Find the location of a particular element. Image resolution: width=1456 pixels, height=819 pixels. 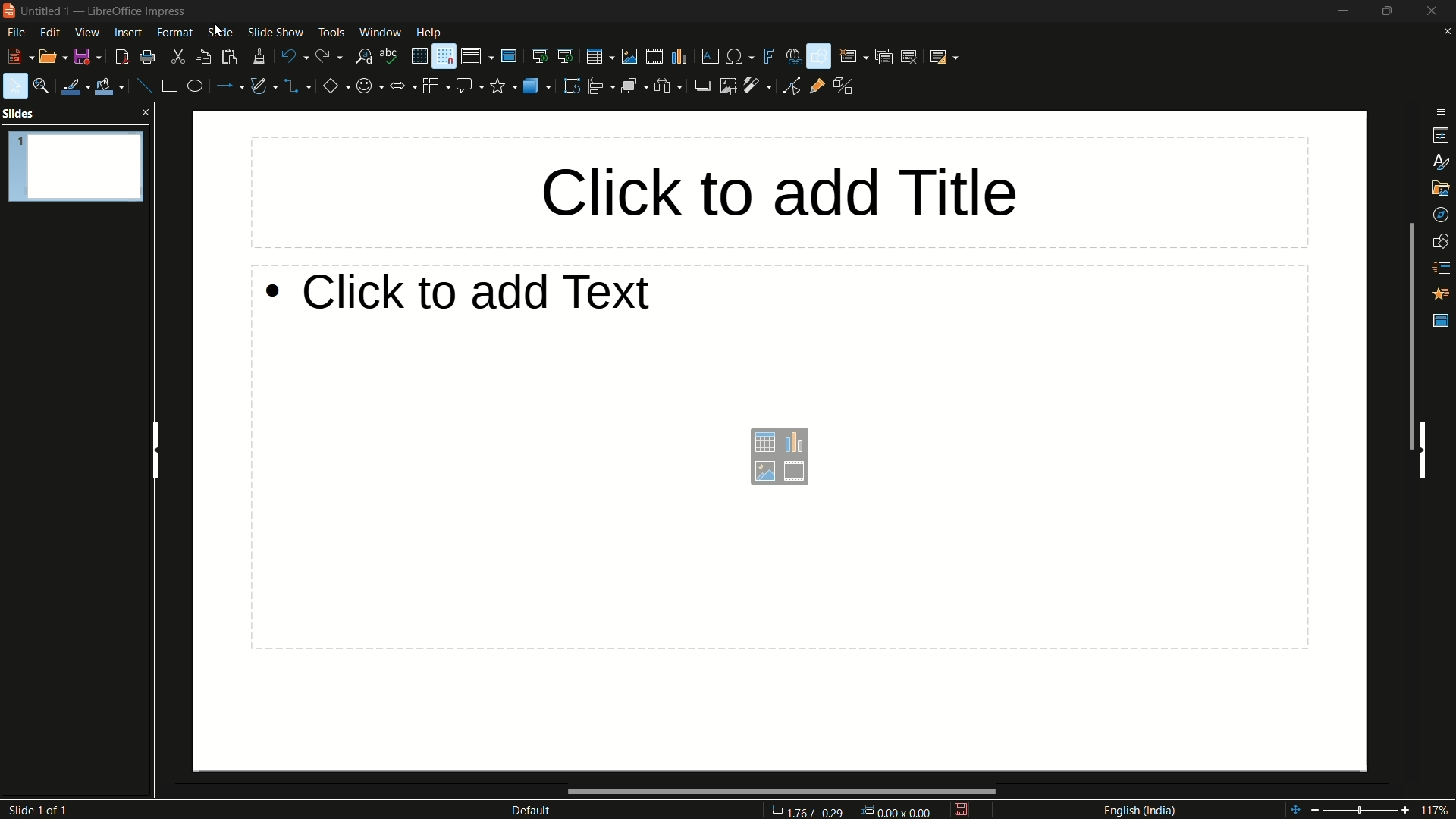

rotate is located at coordinates (572, 86).